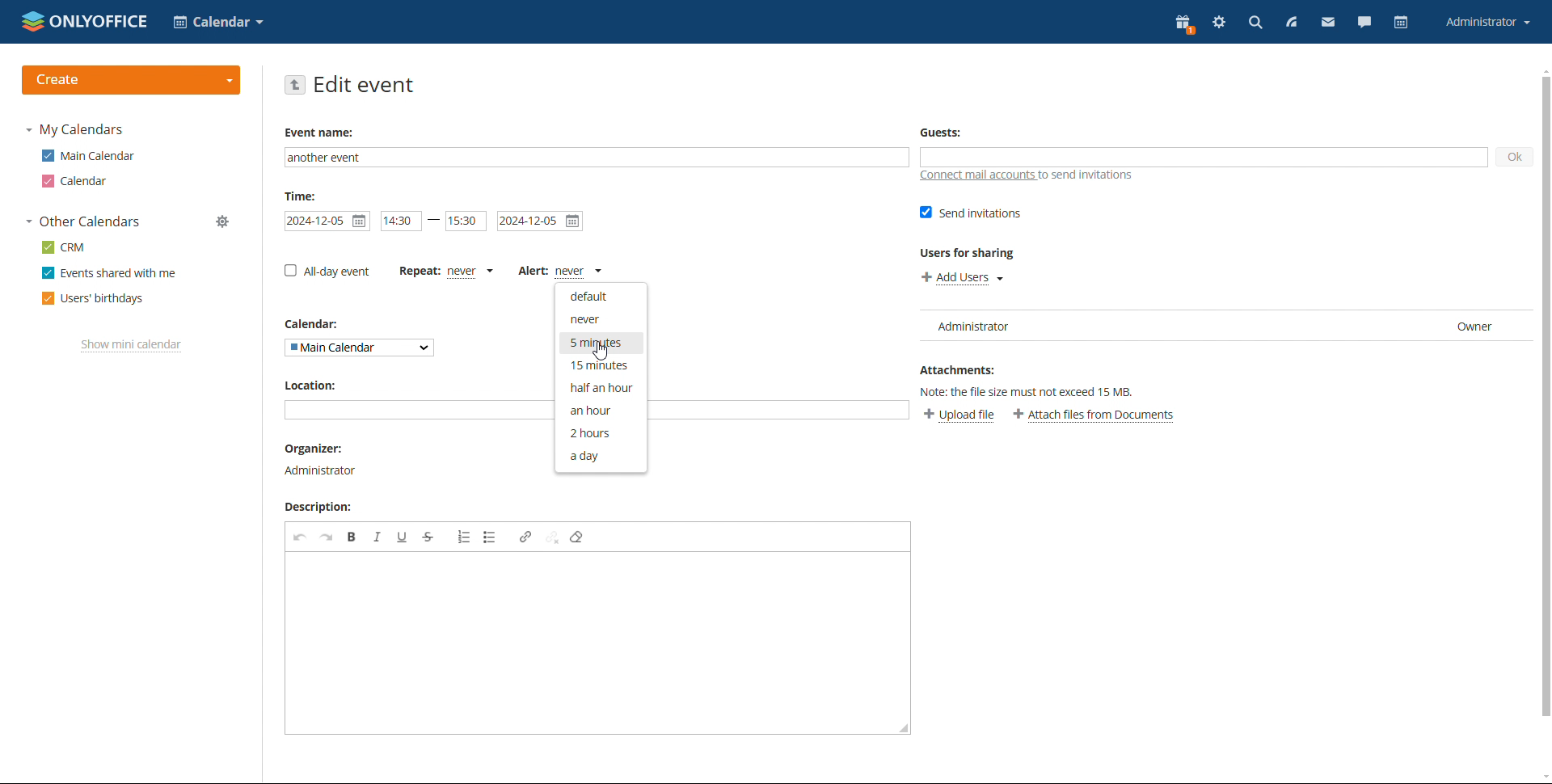 The height and width of the screenshot is (784, 1552). I want to click on add users, so click(962, 277).